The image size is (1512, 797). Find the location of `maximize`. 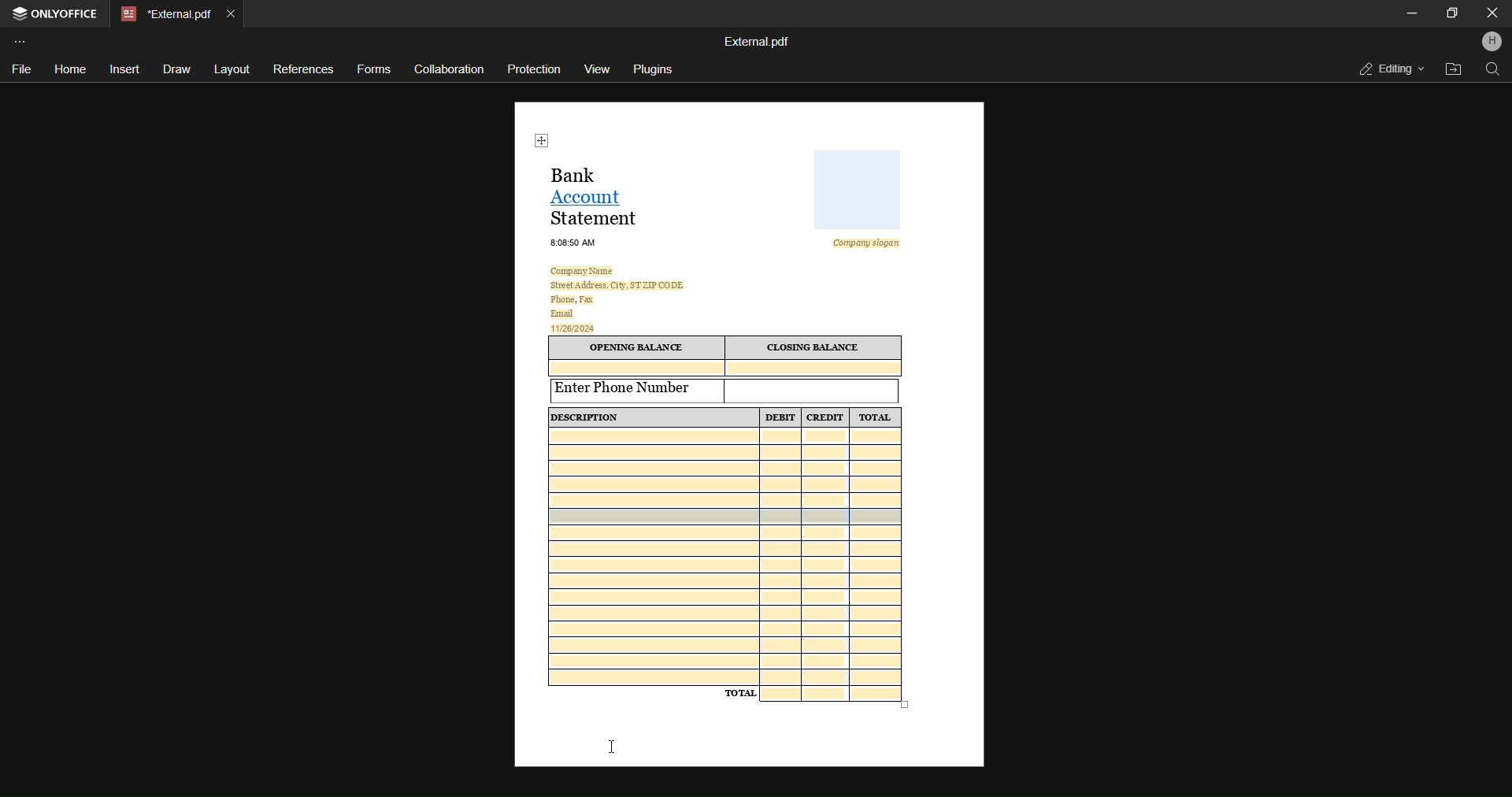

maximize is located at coordinates (1452, 12).